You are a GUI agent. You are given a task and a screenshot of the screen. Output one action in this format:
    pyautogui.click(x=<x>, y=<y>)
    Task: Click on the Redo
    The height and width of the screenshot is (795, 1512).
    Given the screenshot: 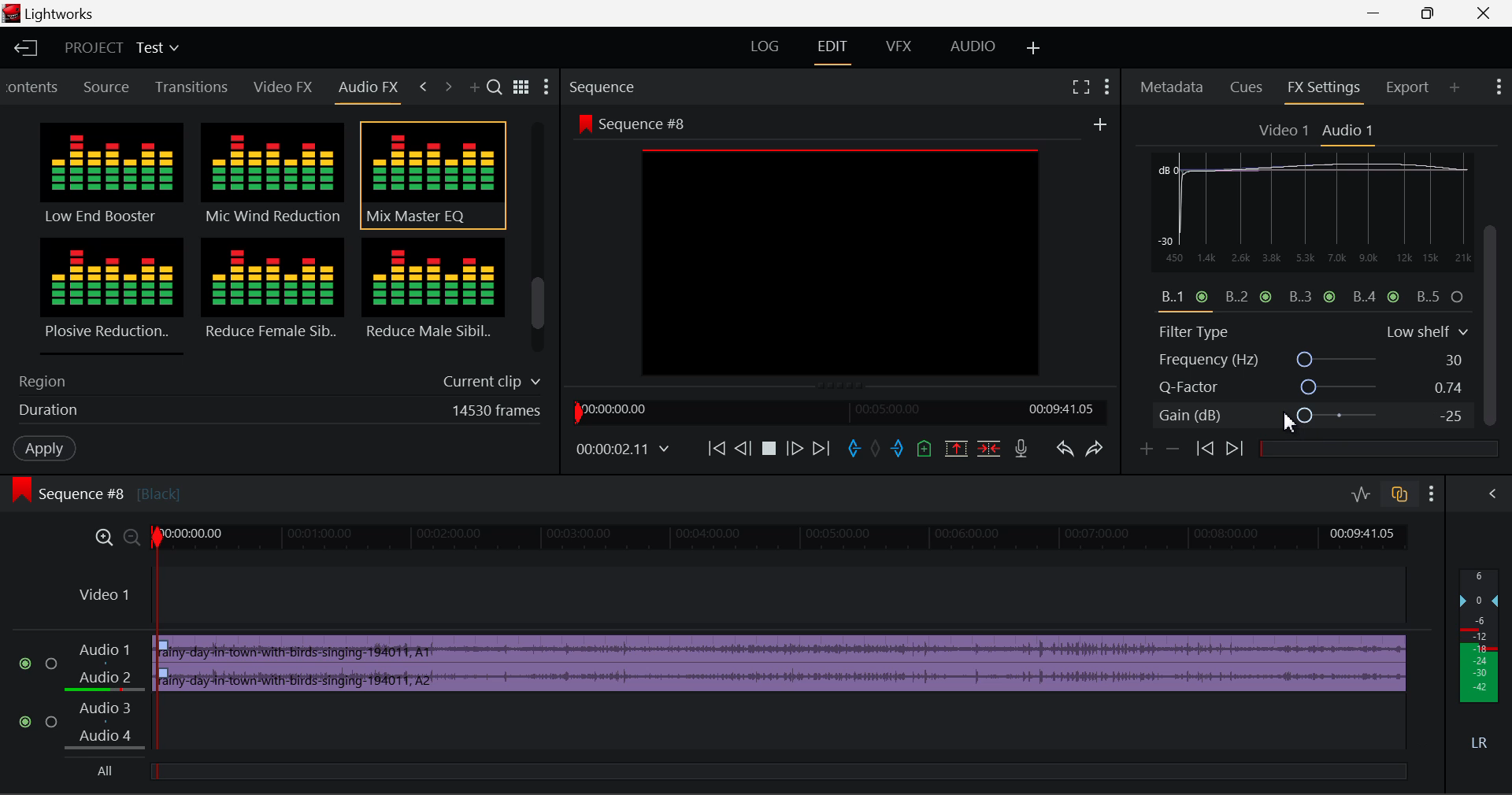 What is the action you would take?
    pyautogui.click(x=1099, y=453)
    